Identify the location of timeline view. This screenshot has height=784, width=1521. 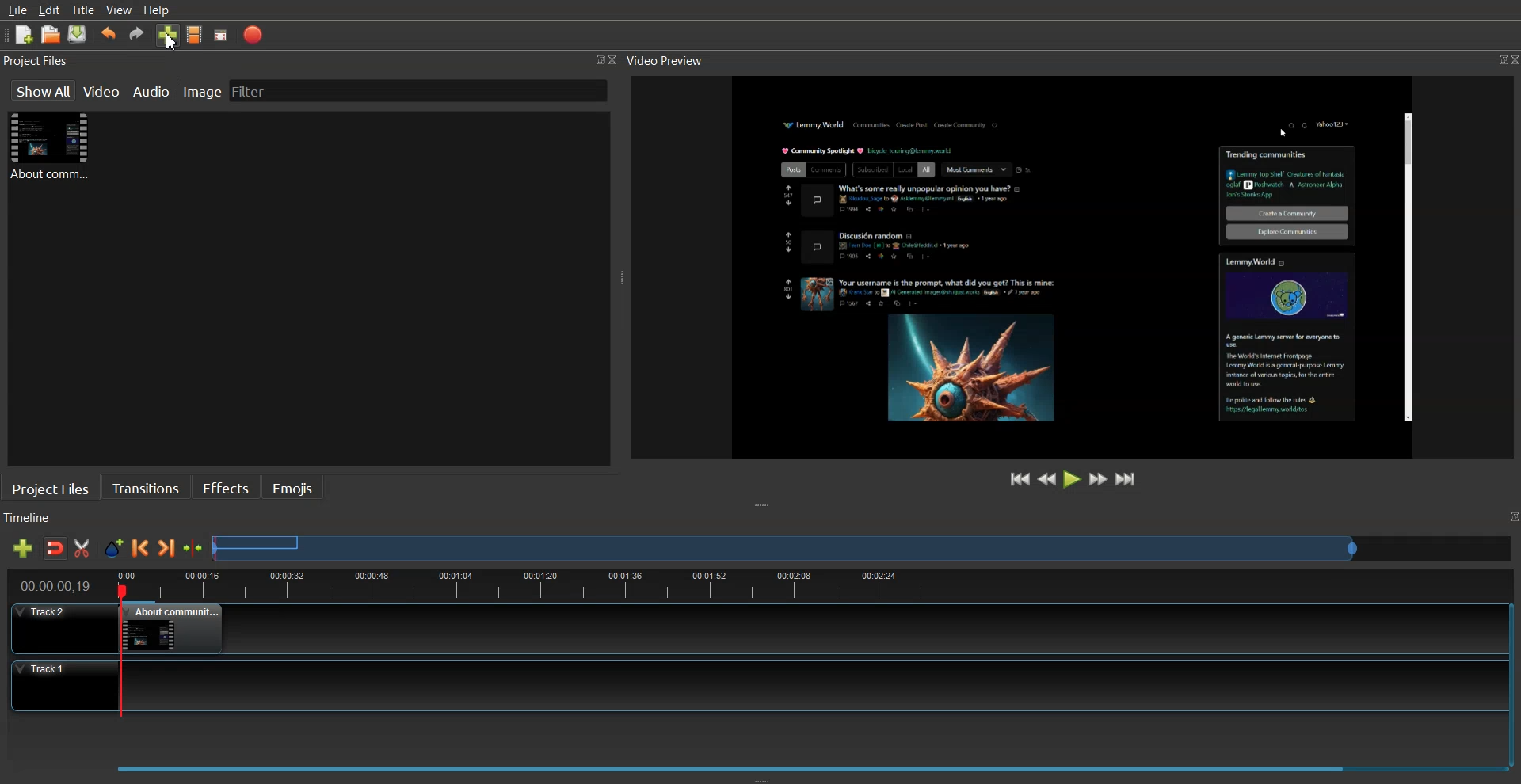
(753, 584).